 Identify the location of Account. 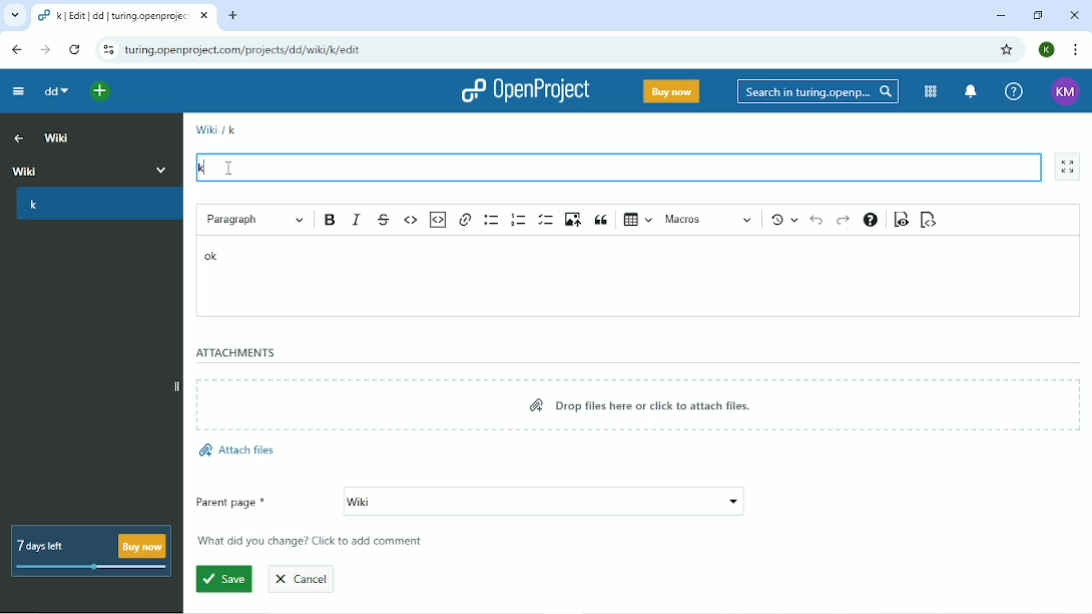
(1065, 91).